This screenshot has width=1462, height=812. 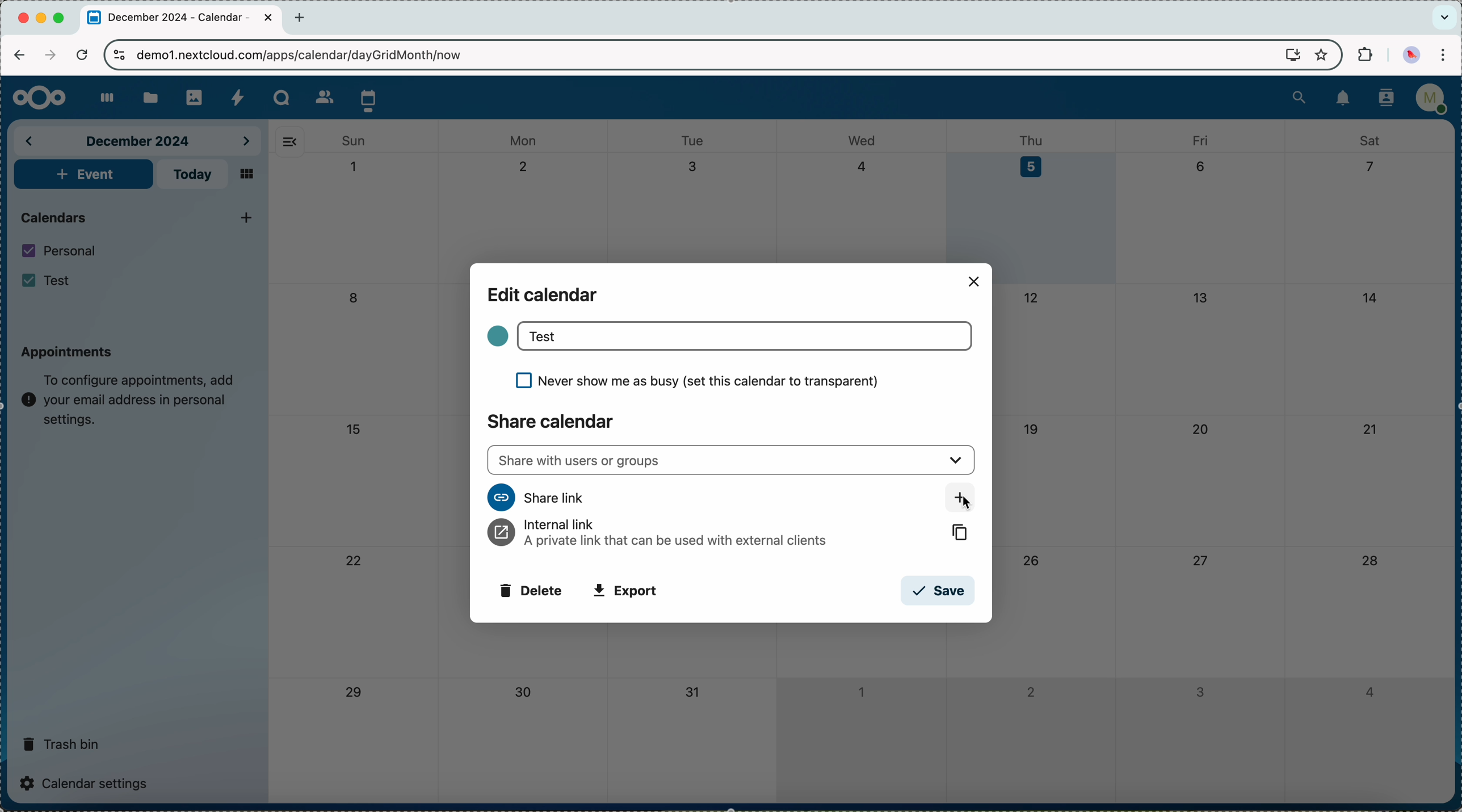 What do you see at coordinates (1034, 207) in the screenshot?
I see `day 5 selected` at bounding box center [1034, 207].